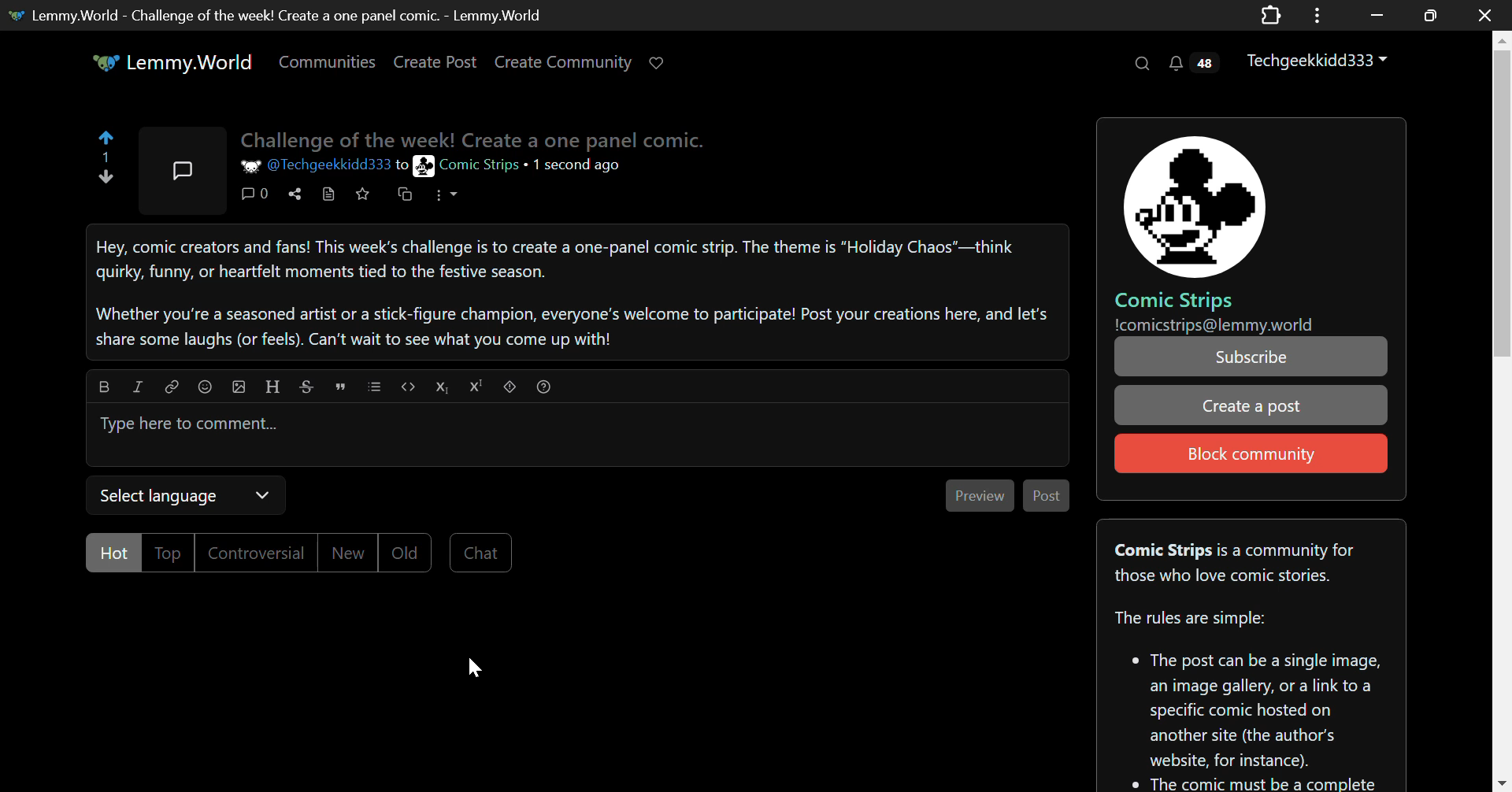  What do you see at coordinates (1224, 327) in the screenshot?
I see `!comicstrips@lemmy.world` at bounding box center [1224, 327].